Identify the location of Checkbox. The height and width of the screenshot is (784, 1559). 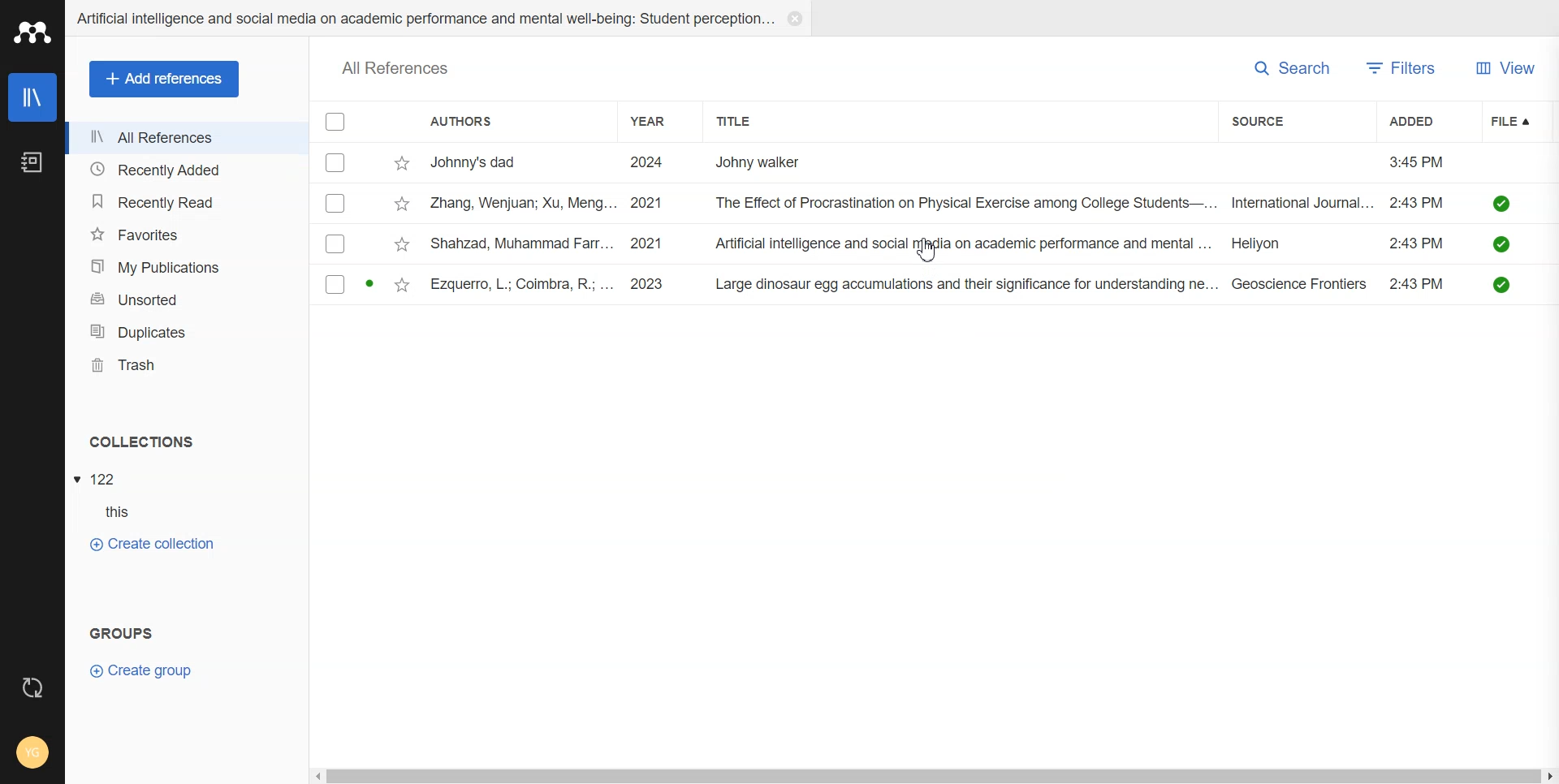
(336, 203).